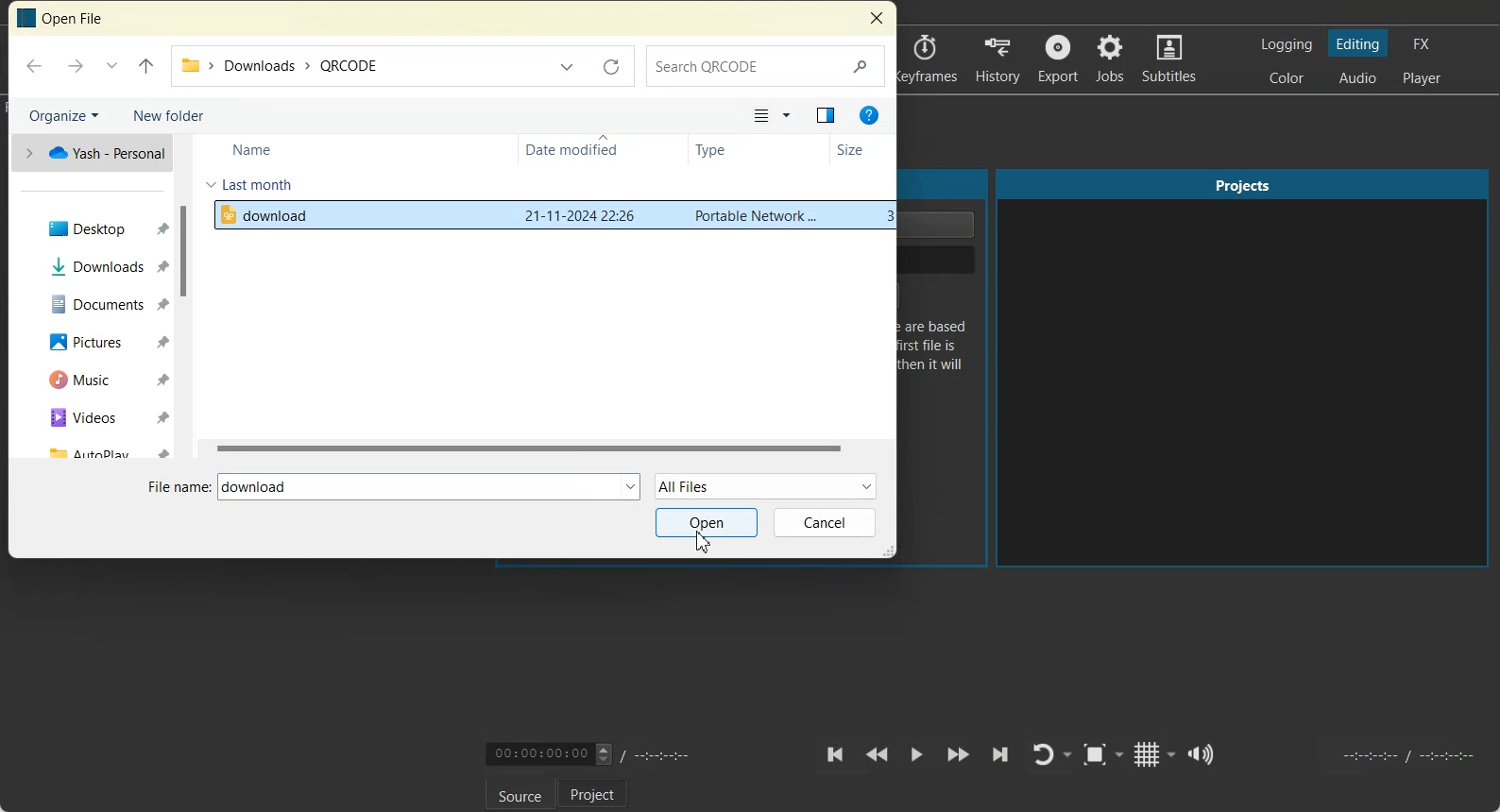 This screenshot has width=1500, height=812. Describe the element at coordinates (1156, 753) in the screenshot. I see `Toggle grid display` at that location.